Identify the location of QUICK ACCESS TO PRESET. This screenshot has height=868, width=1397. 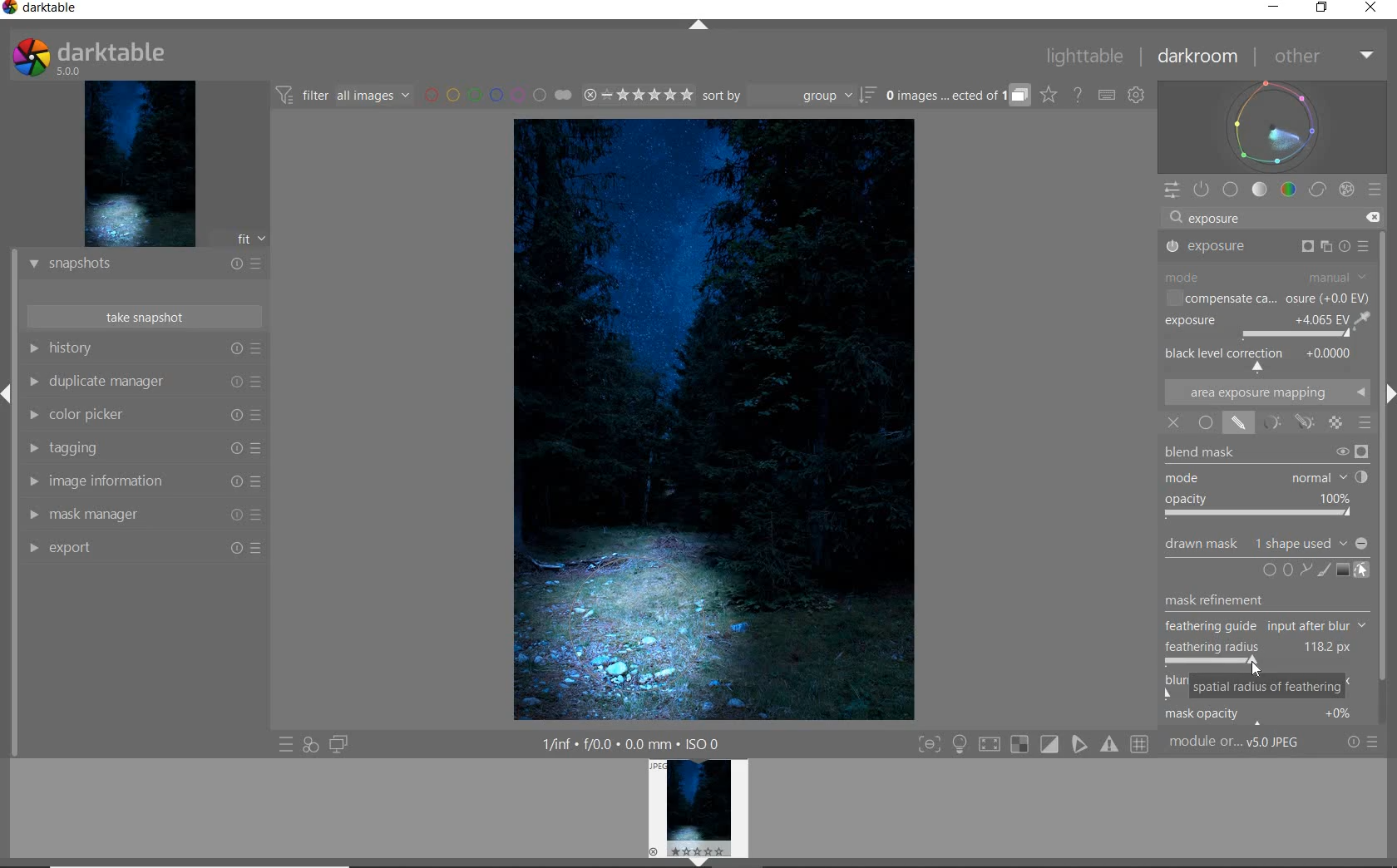
(287, 745).